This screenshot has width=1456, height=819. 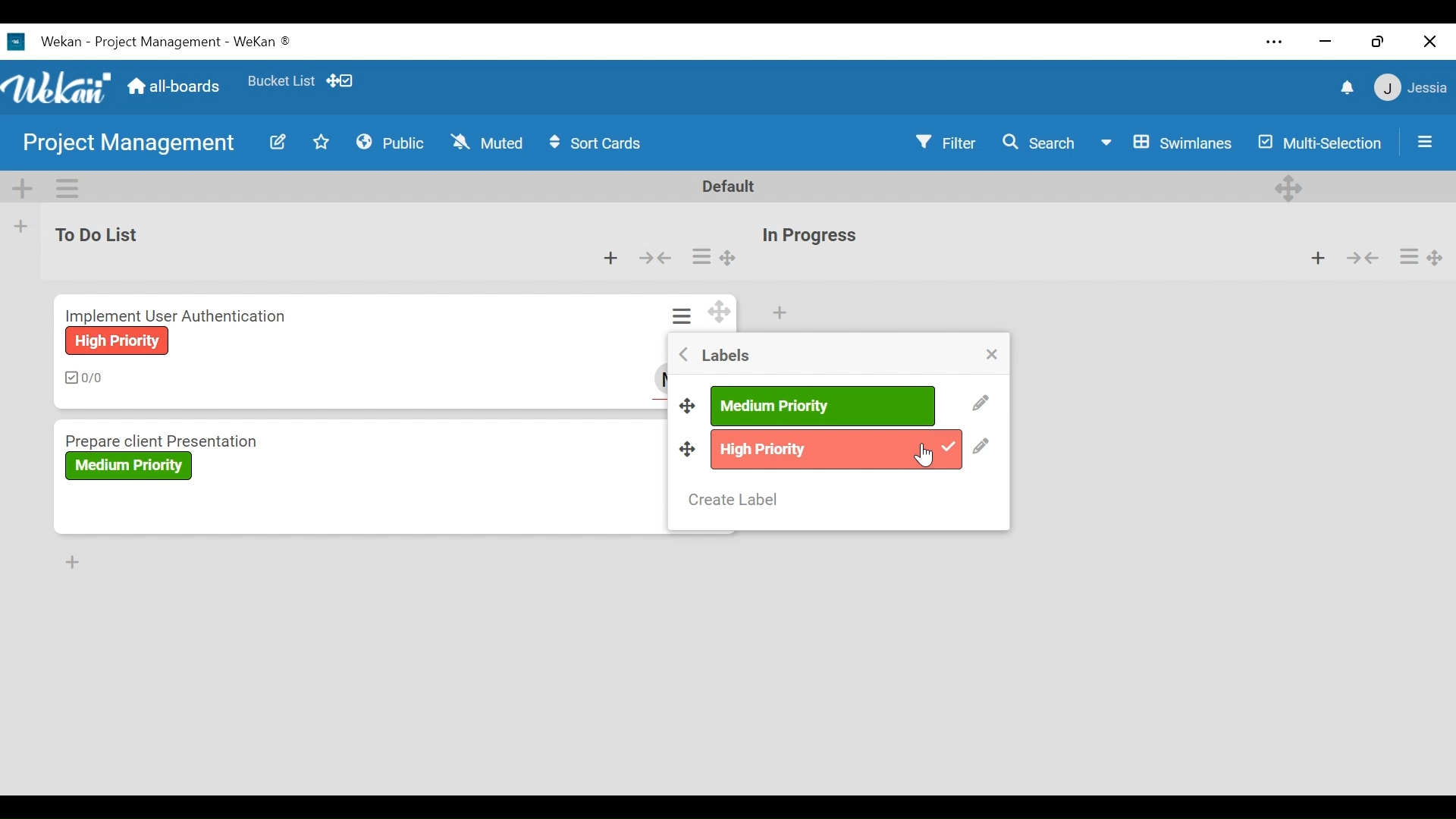 I want to click on Edit, so click(x=277, y=142).